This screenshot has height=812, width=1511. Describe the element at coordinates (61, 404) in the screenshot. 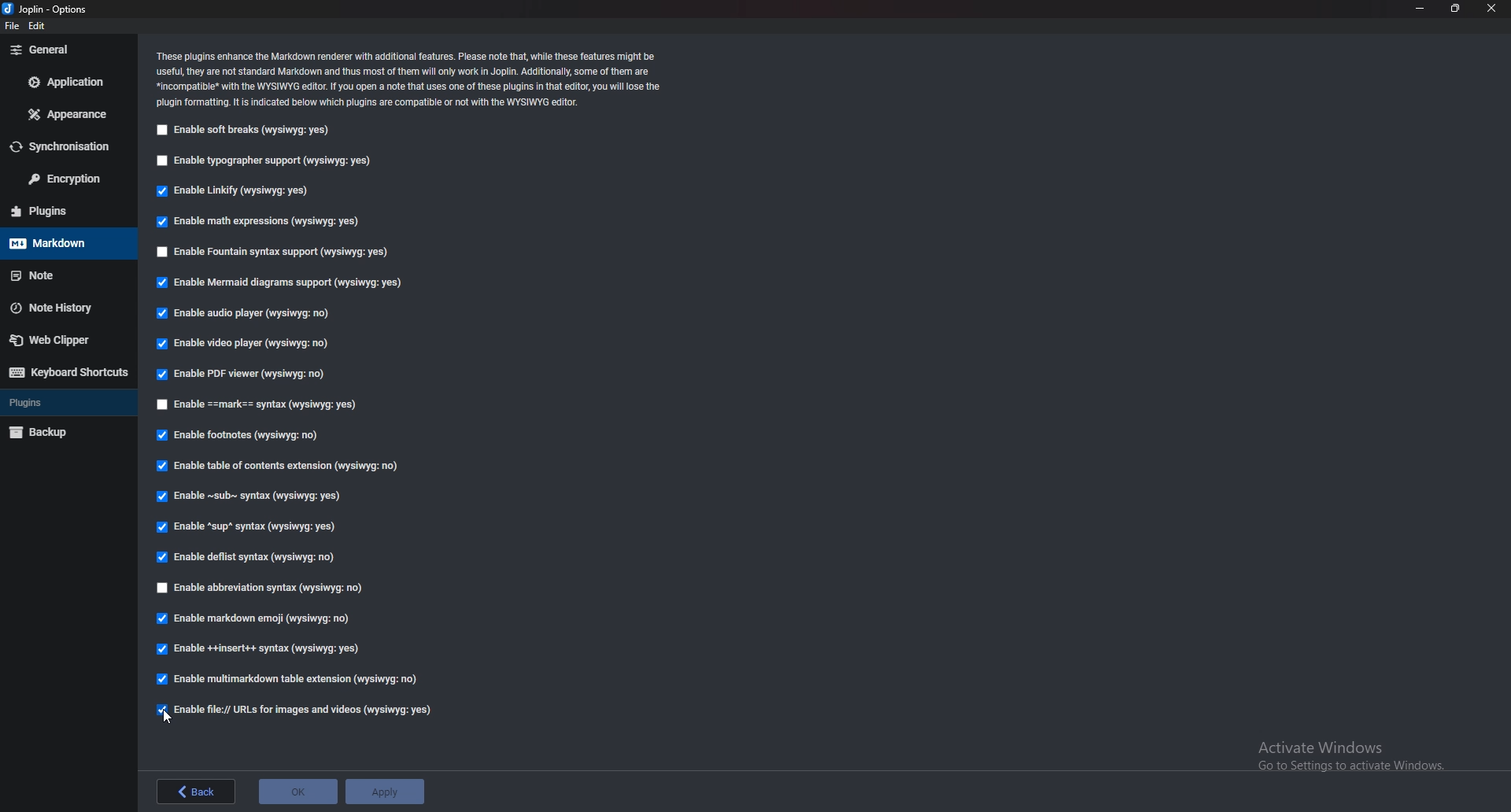

I see `Plugins` at that location.